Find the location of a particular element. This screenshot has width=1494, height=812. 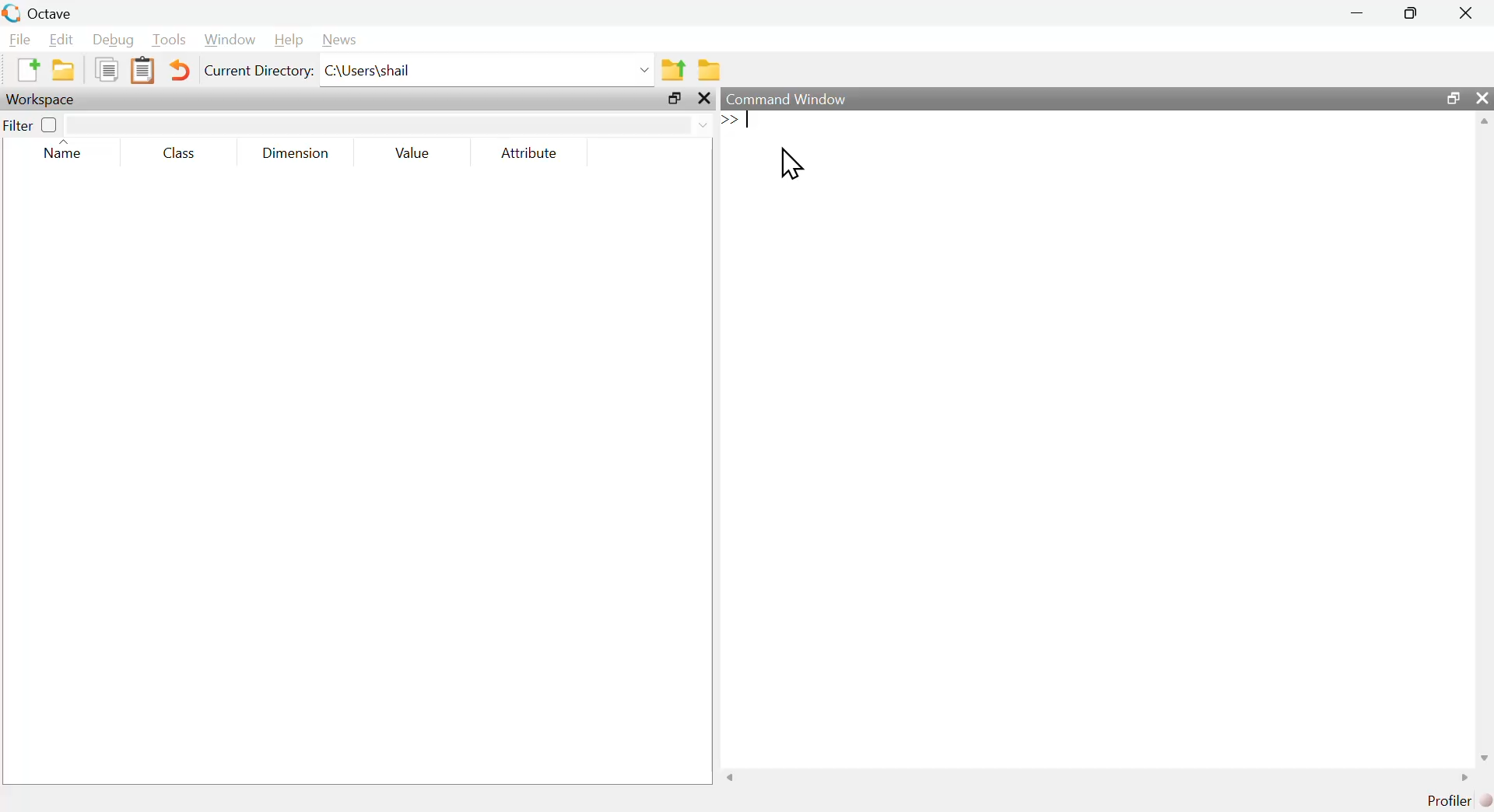

workspace is located at coordinates (46, 100).